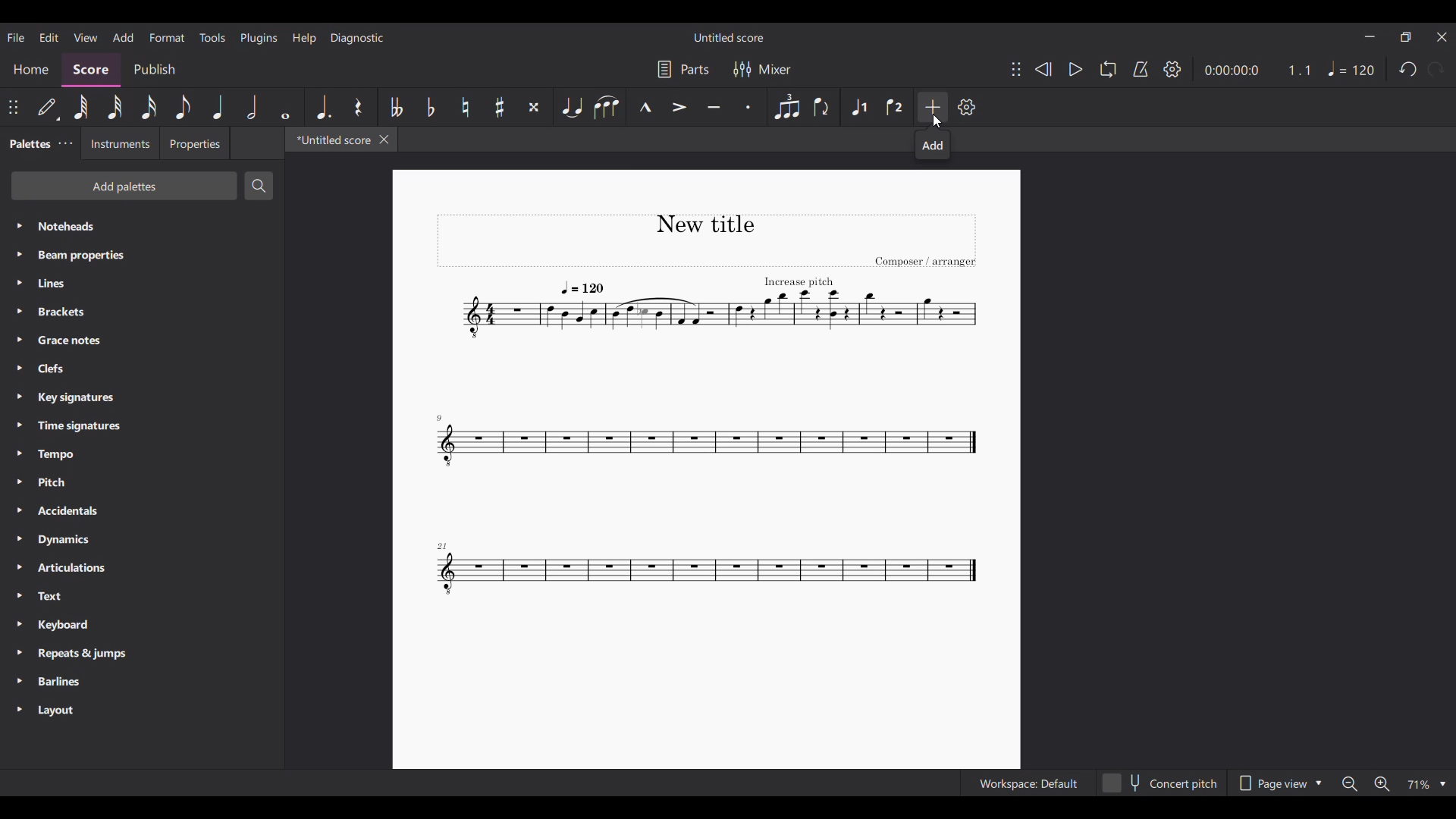 The height and width of the screenshot is (819, 1456). I want to click on Accent, so click(679, 107).